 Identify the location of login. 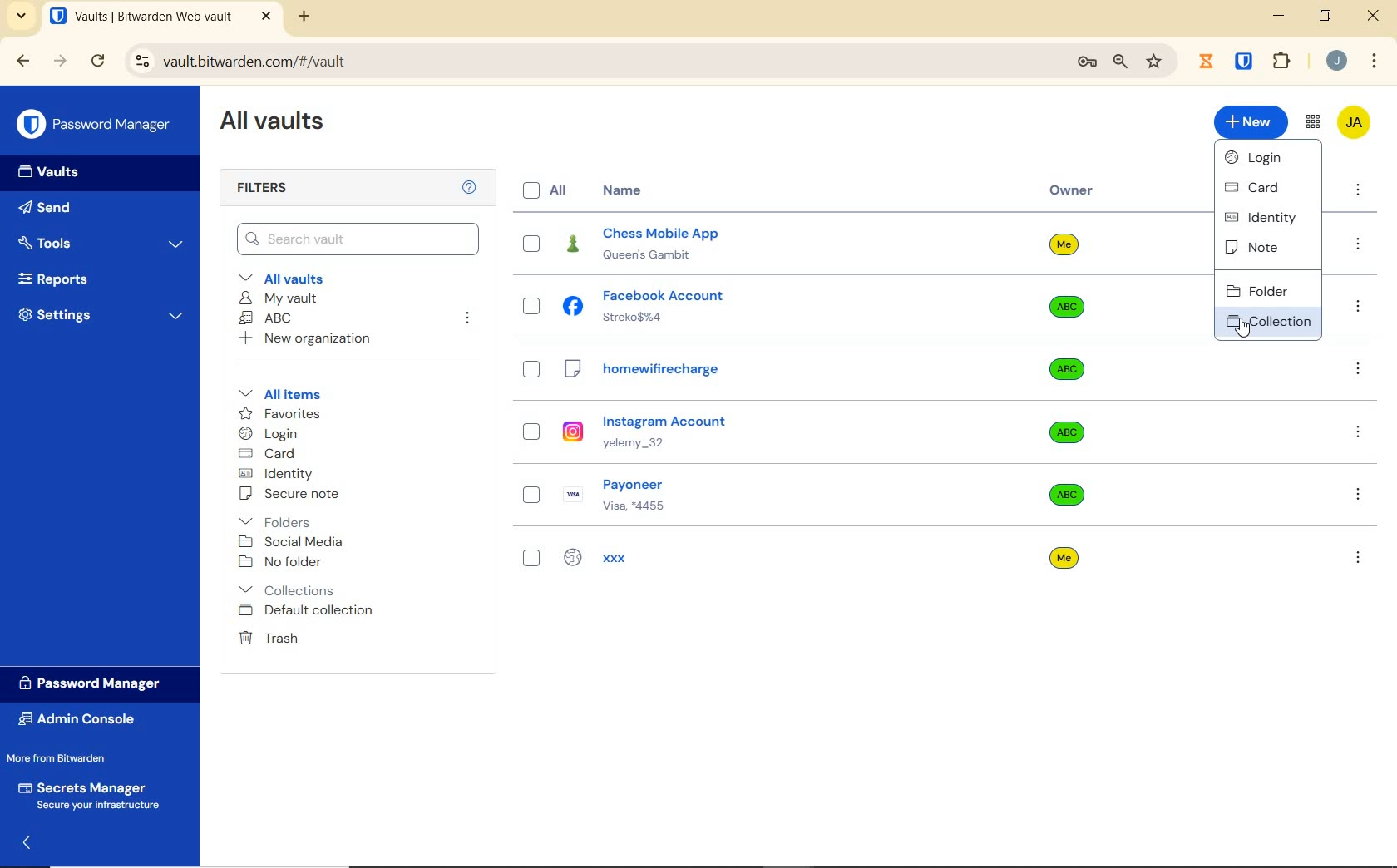
(278, 434).